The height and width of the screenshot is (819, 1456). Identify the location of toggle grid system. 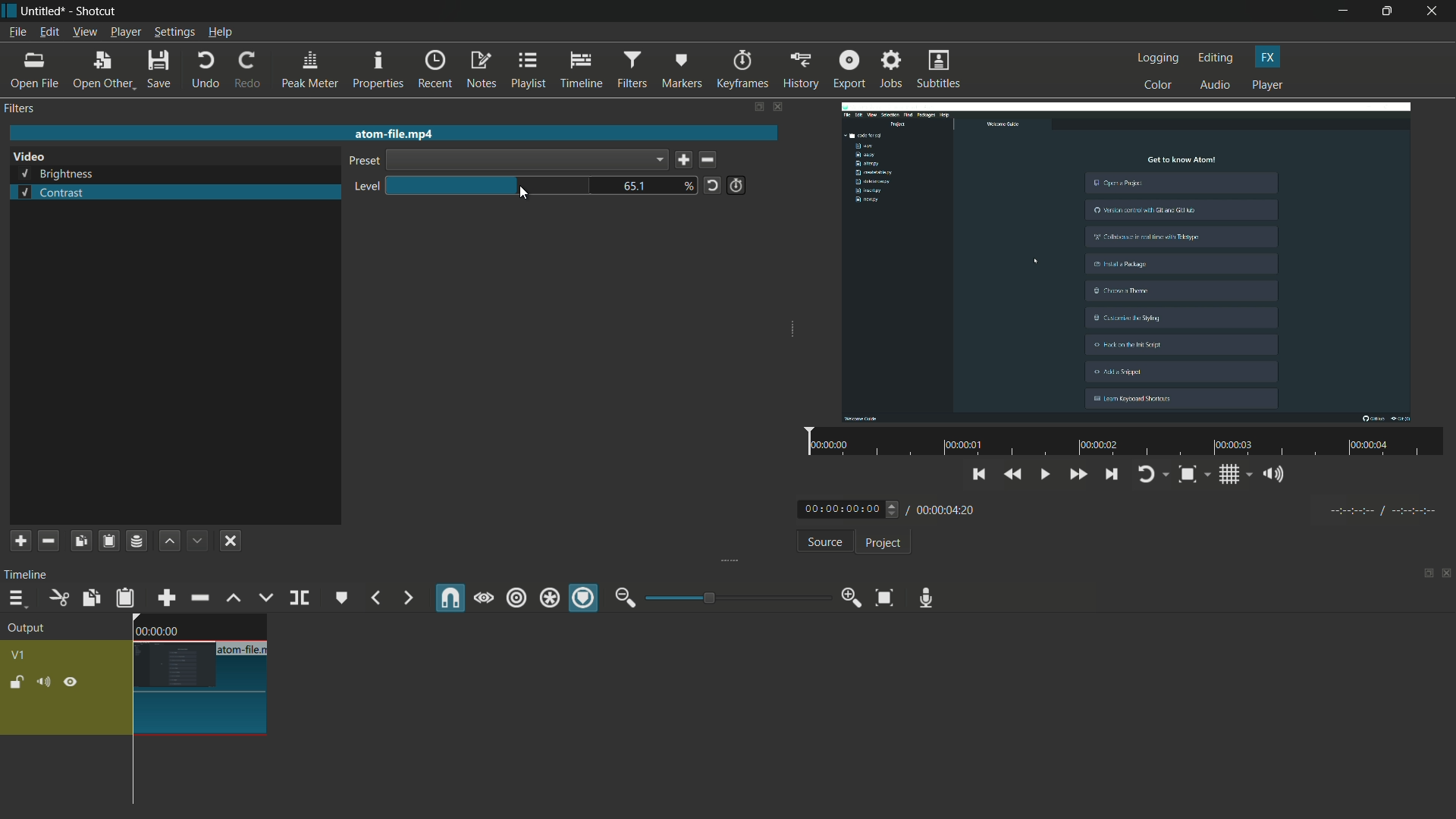
(1237, 477).